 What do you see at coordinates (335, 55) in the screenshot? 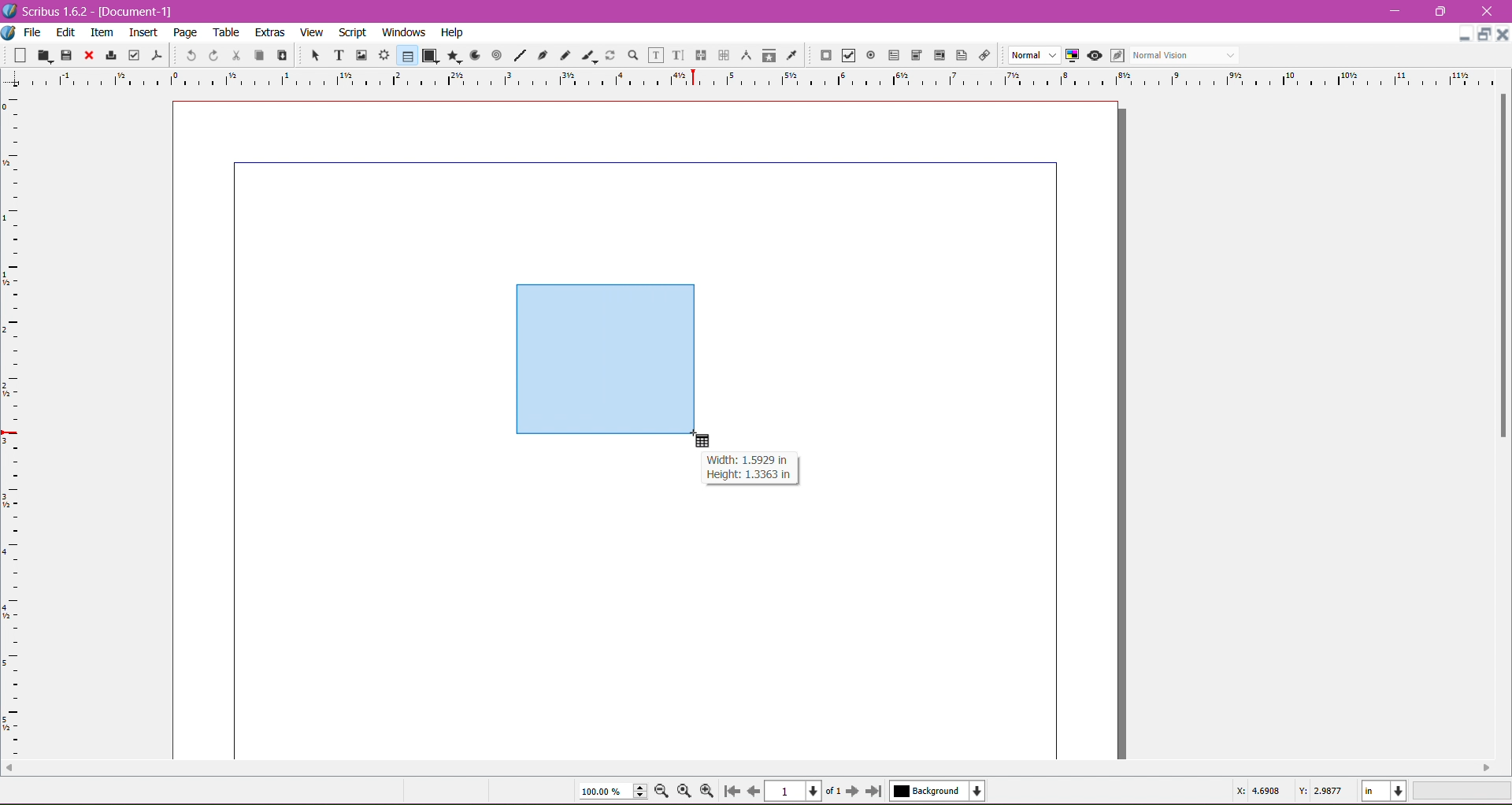
I see `Text Frame` at bounding box center [335, 55].